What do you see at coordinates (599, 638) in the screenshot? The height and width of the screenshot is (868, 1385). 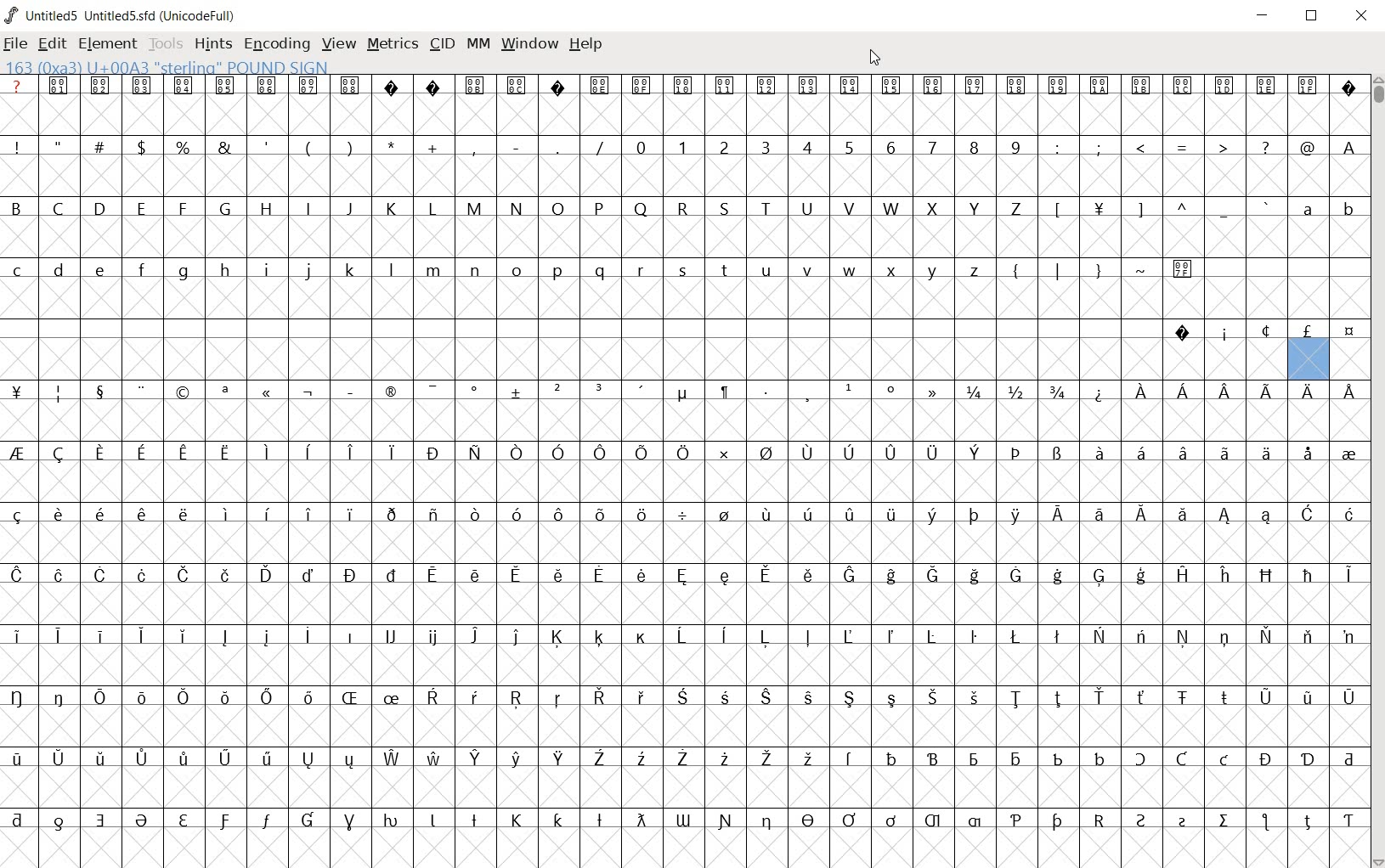 I see `Symbol` at bounding box center [599, 638].